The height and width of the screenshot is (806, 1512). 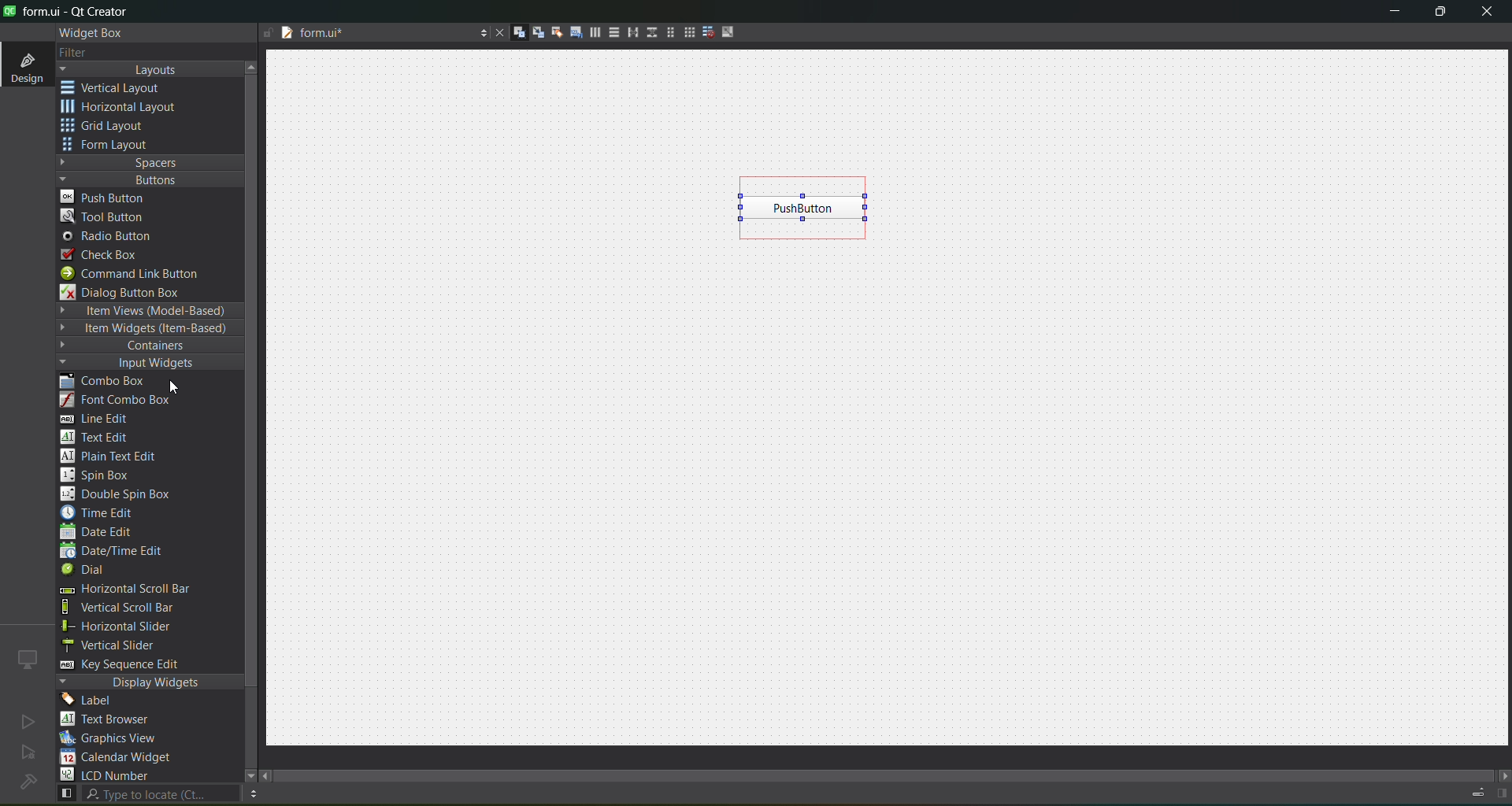 What do you see at coordinates (28, 753) in the screenshot?
I see `no active project` at bounding box center [28, 753].